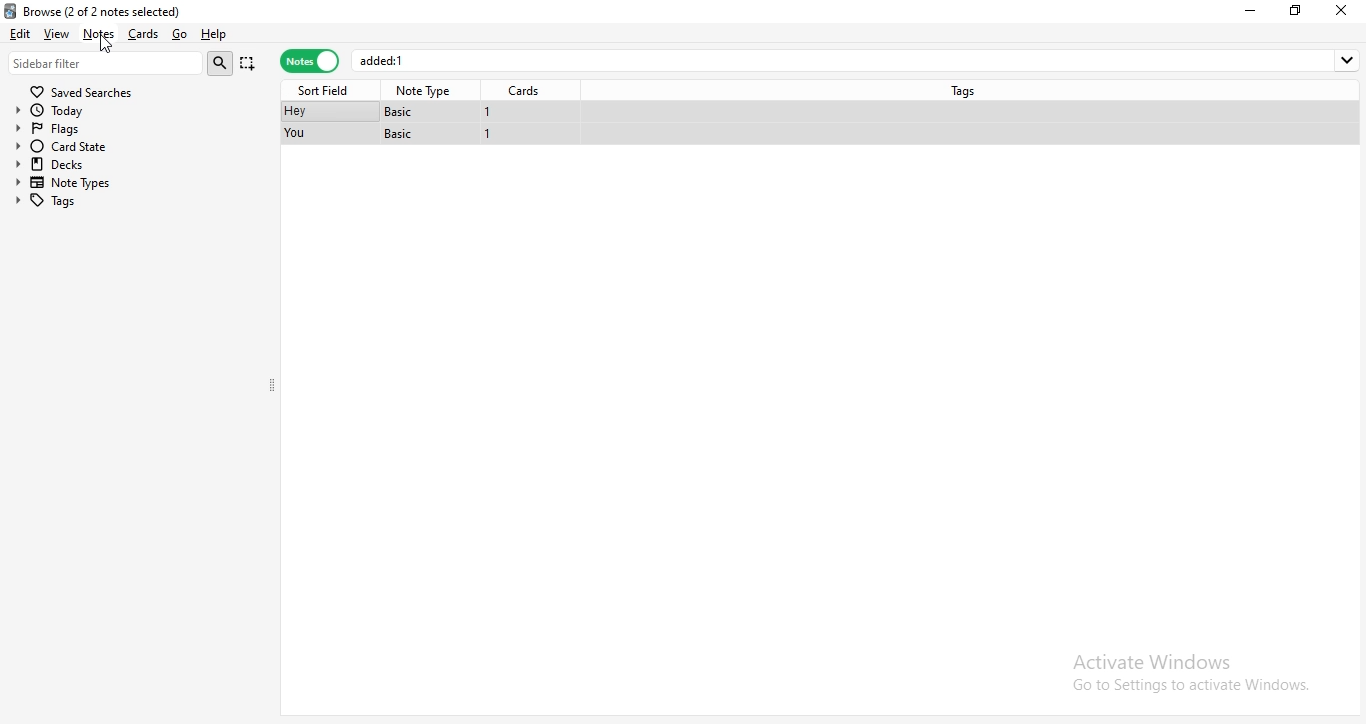 The height and width of the screenshot is (724, 1366). I want to click on notes, so click(309, 62).